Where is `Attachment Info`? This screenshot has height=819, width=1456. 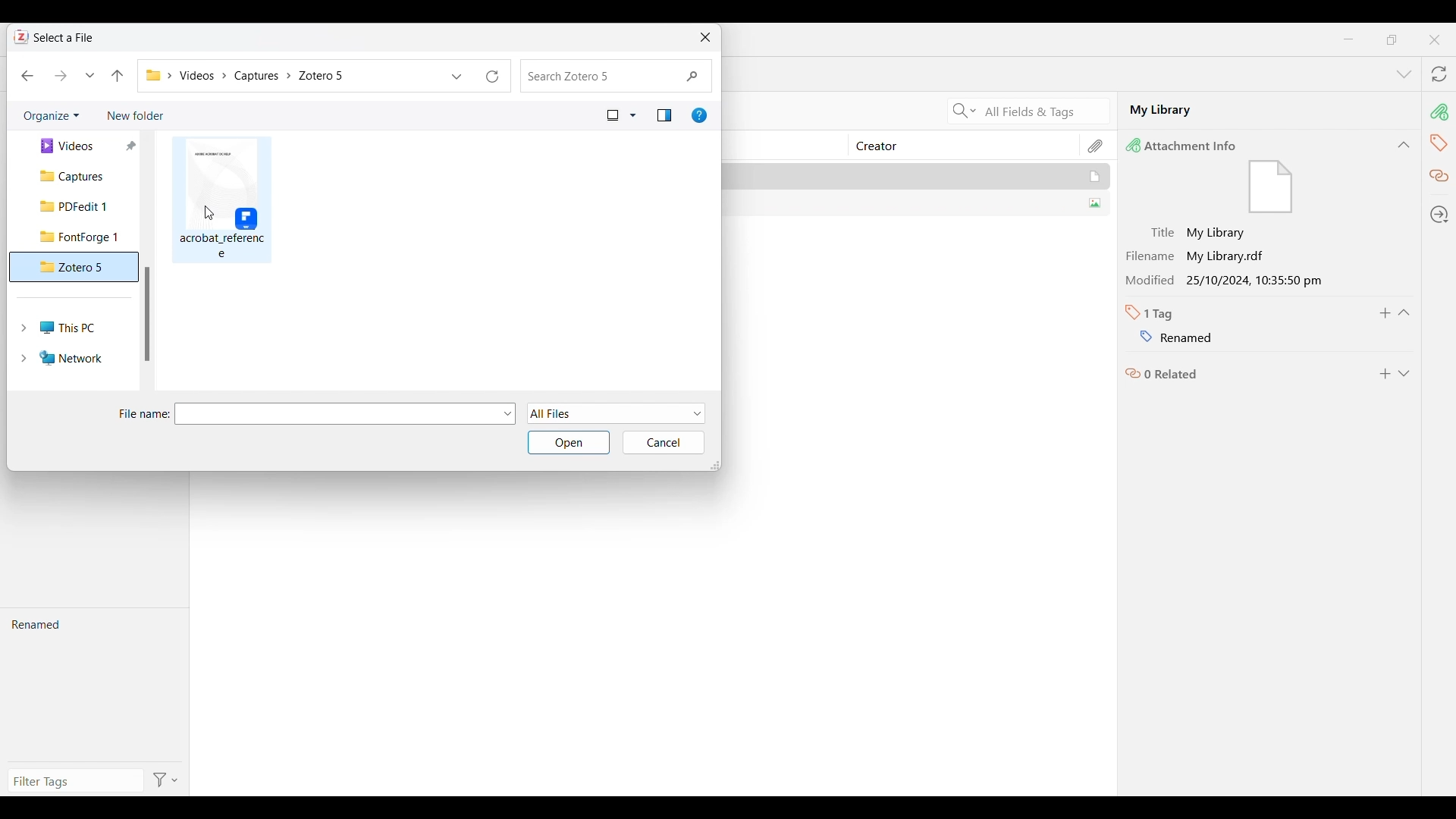
Attachment Info is located at coordinates (1188, 146).